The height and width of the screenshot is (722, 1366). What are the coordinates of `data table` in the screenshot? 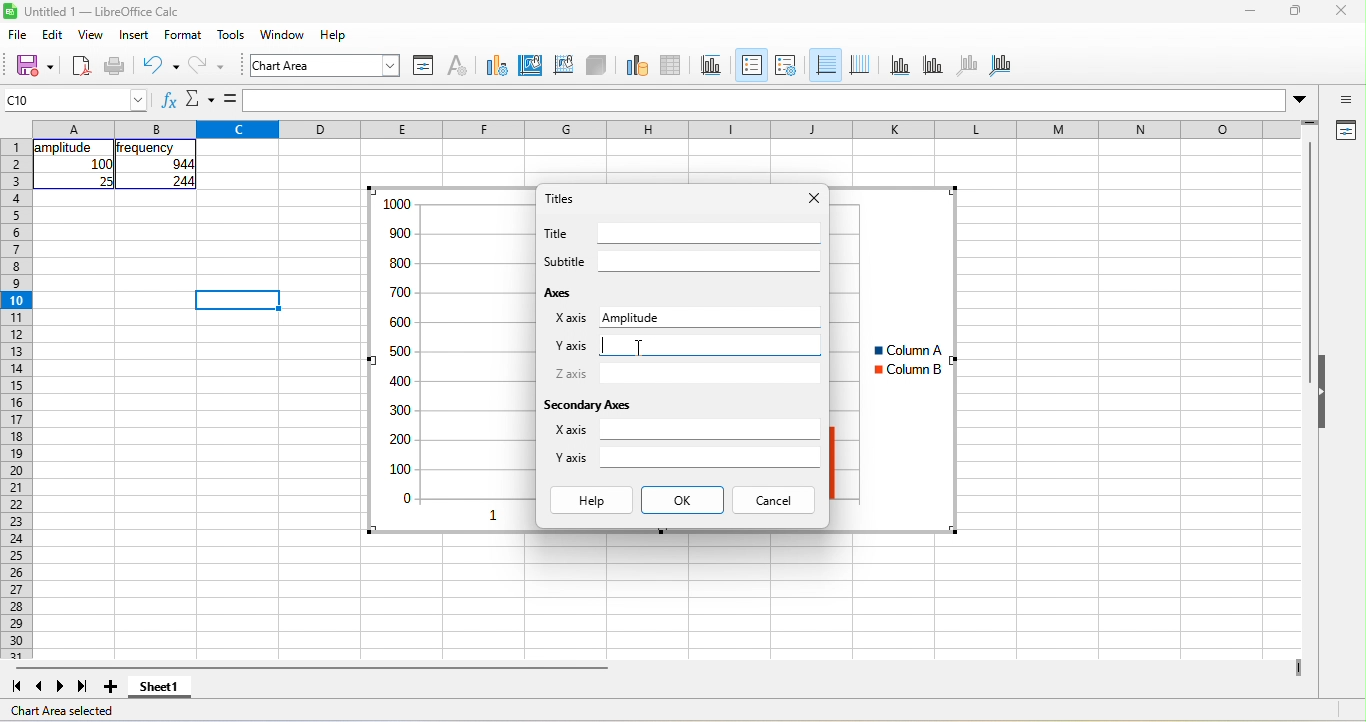 It's located at (672, 66).